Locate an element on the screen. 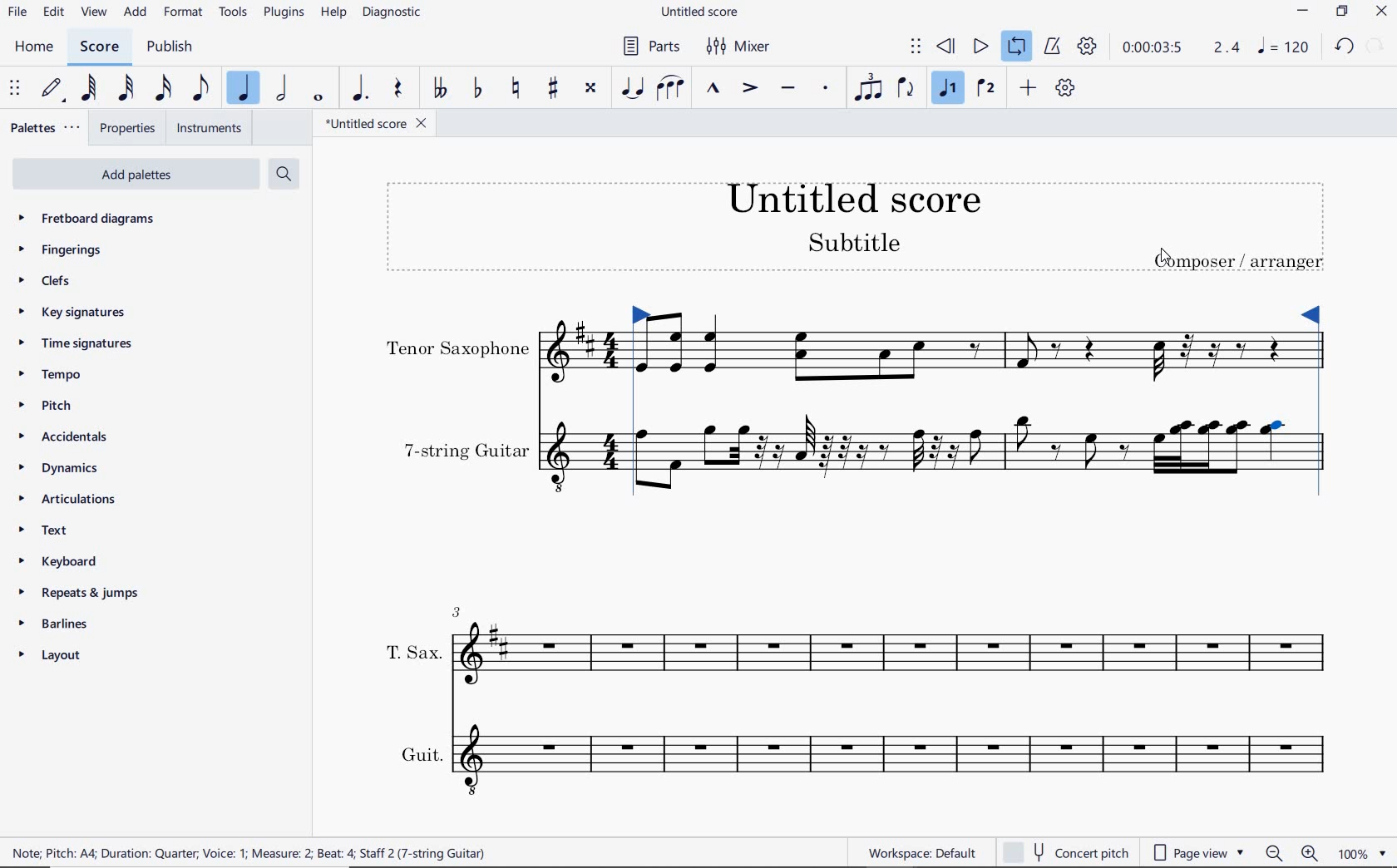  ACCIDENTALS is located at coordinates (60, 439).